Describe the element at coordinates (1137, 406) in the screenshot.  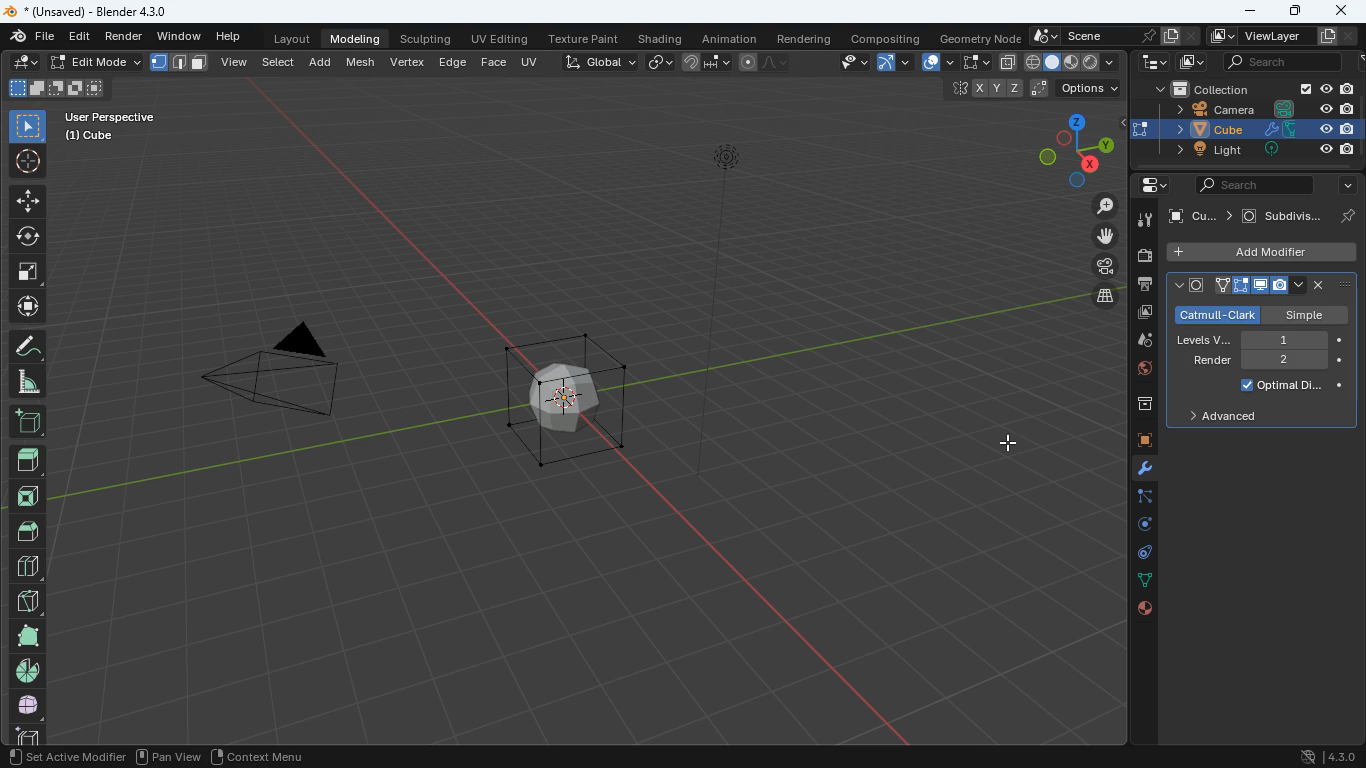
I see `archieve` at that location.